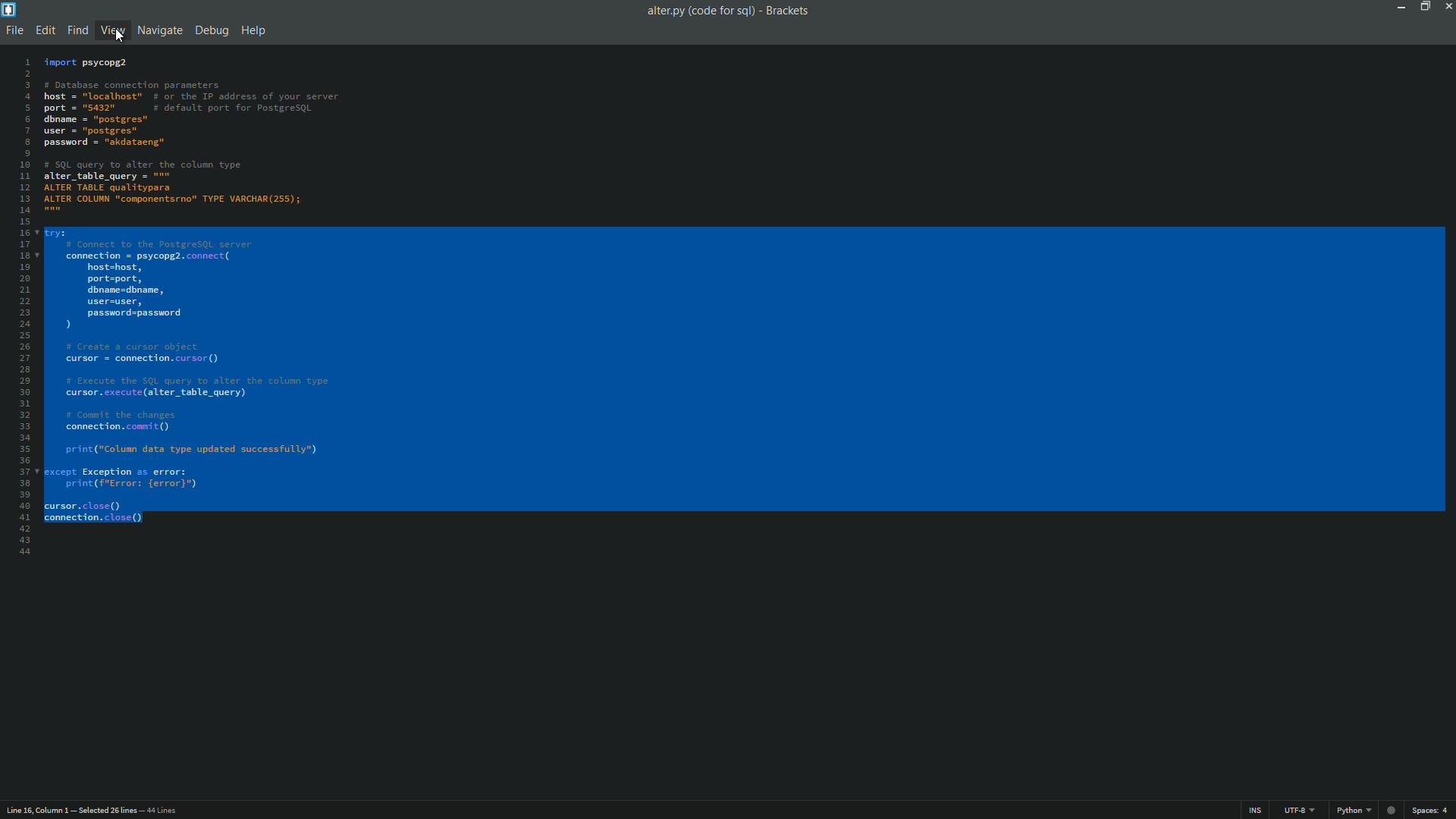 This screenshot has height=819, width=1456. Describe the element at coordinates (77, 30) in the screenshot. I see `find menu` at that location.